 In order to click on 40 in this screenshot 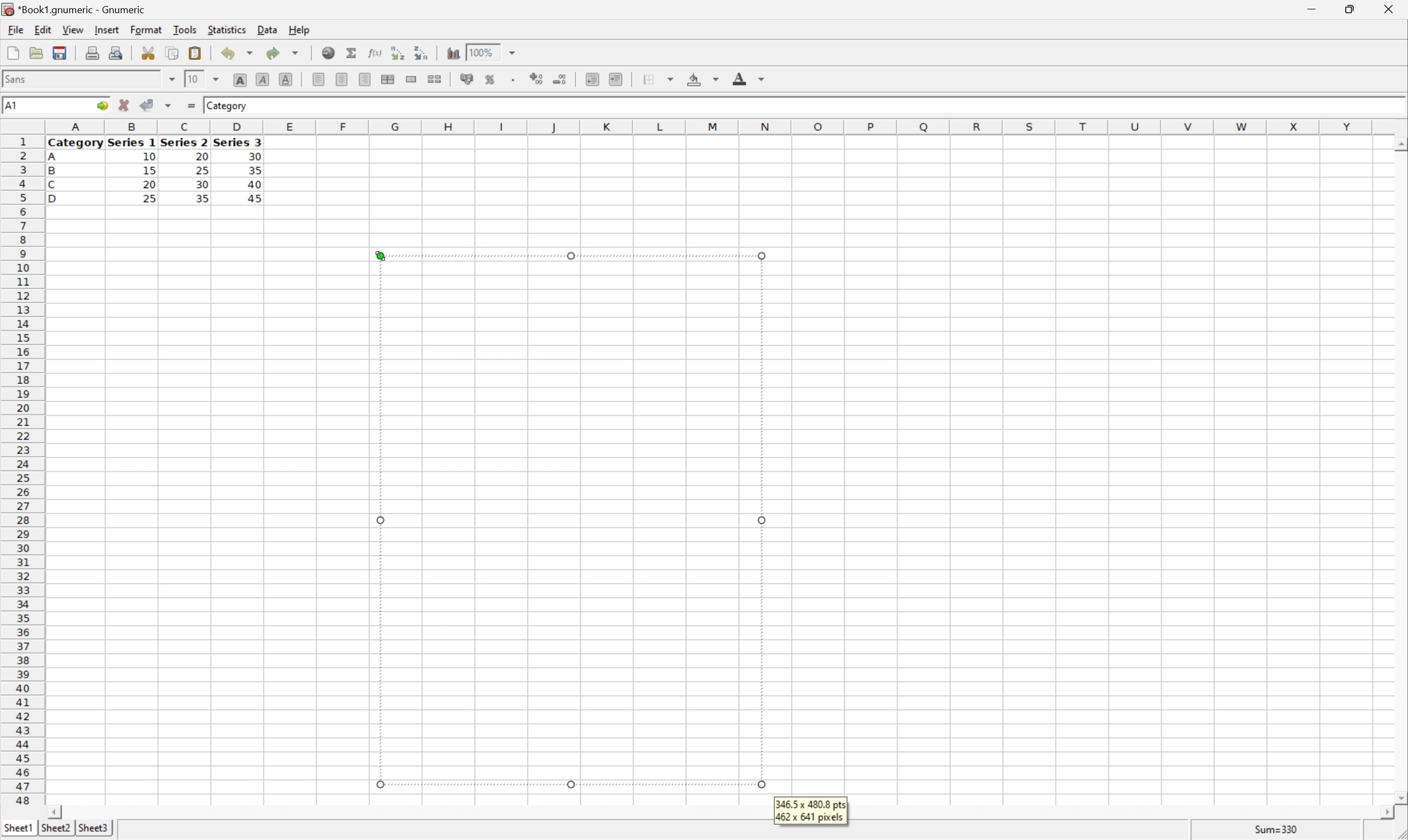, I will do `click(255, 182)`.